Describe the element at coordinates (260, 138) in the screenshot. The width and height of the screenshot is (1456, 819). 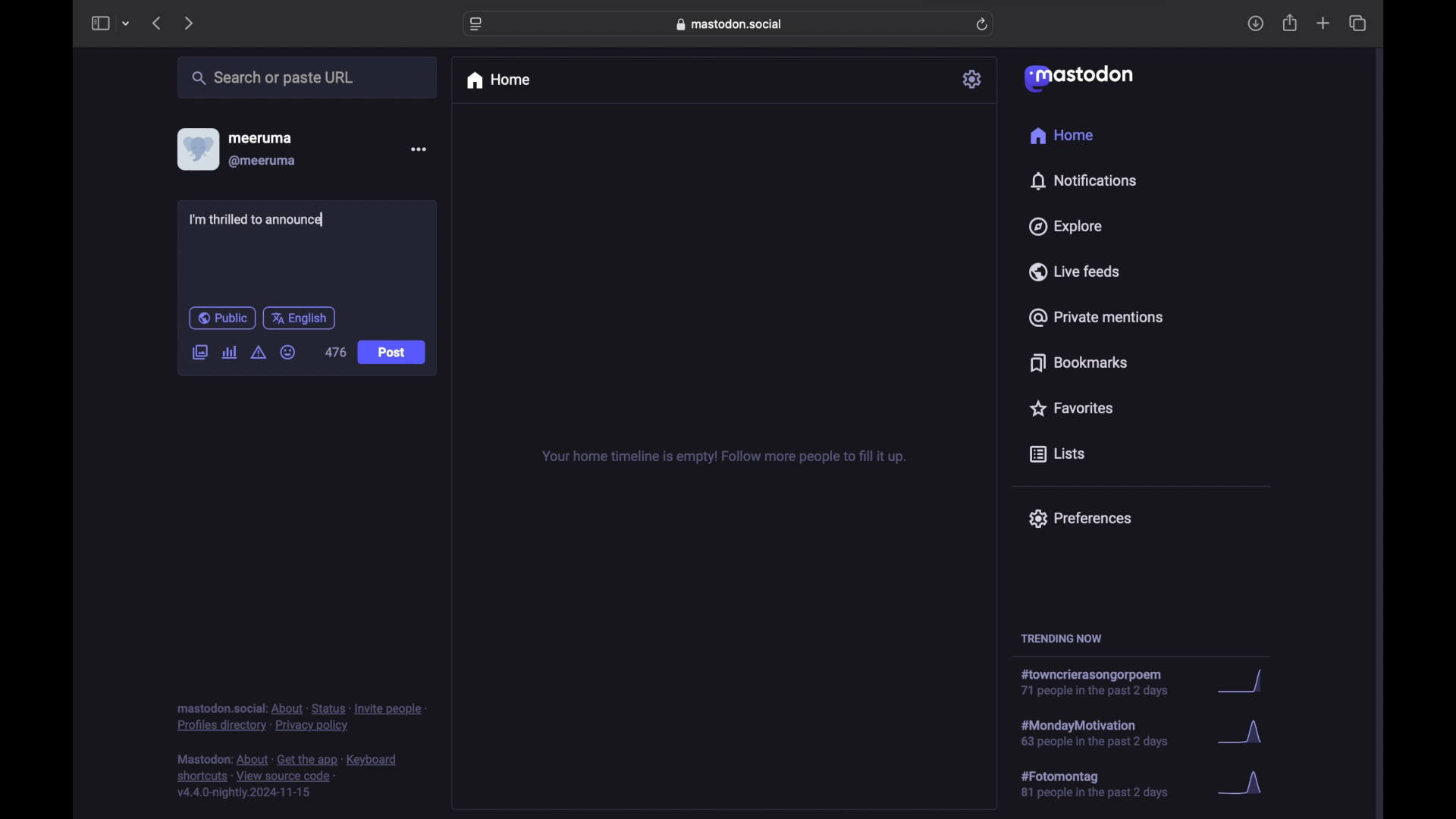
I see `meeruma` at that location.